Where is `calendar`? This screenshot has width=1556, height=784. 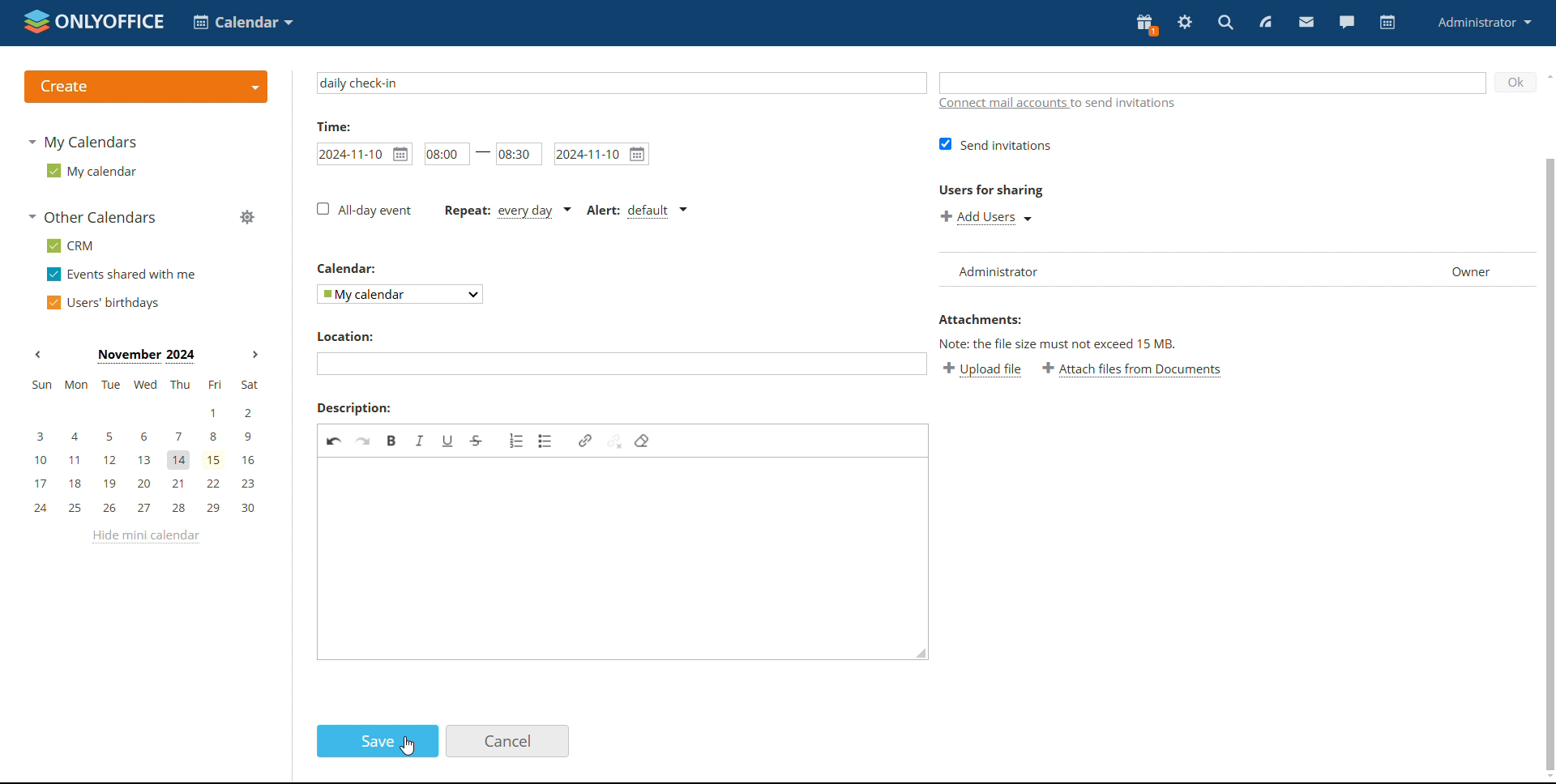
calendar is located at coordinates (356, 270).